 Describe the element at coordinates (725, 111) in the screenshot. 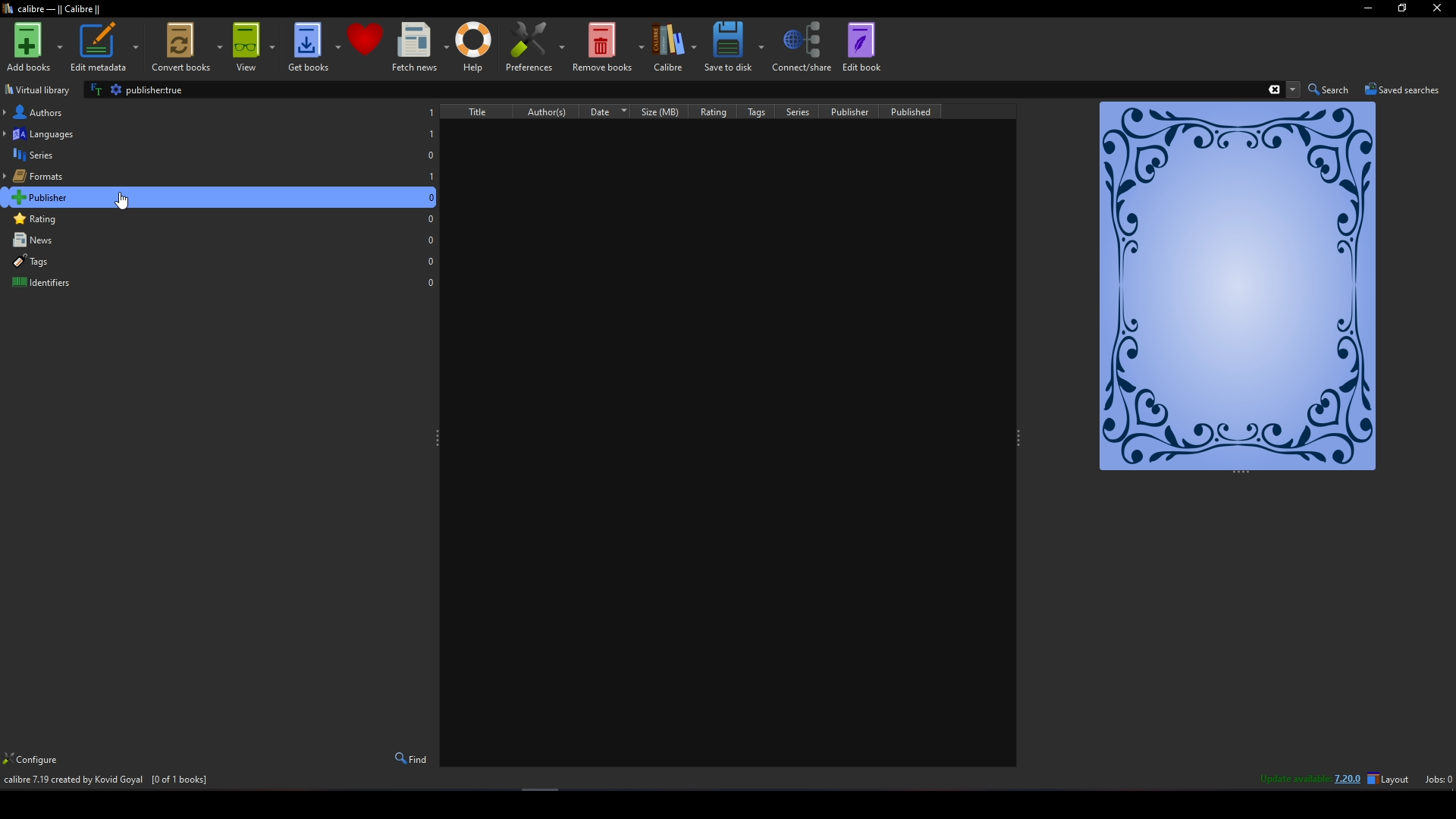

I see `Rating` at that location.